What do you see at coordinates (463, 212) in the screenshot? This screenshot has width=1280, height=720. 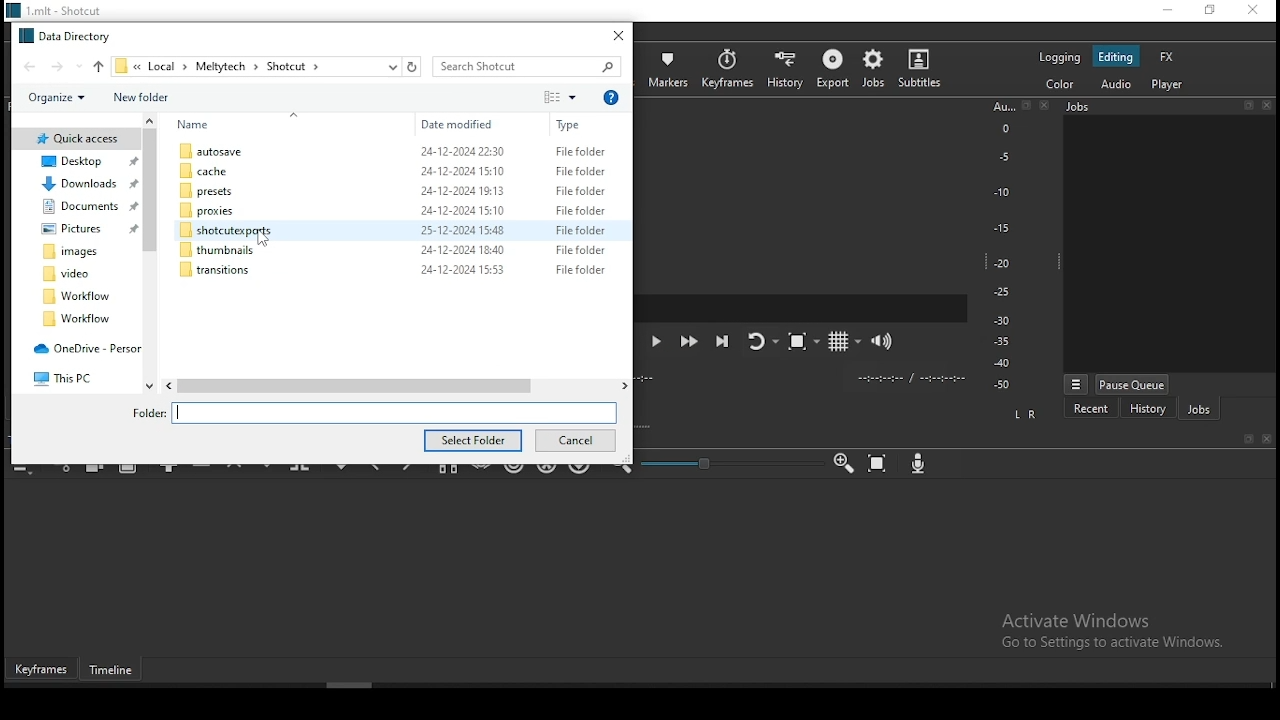 I see `Date` at bounding box center [463, 212].